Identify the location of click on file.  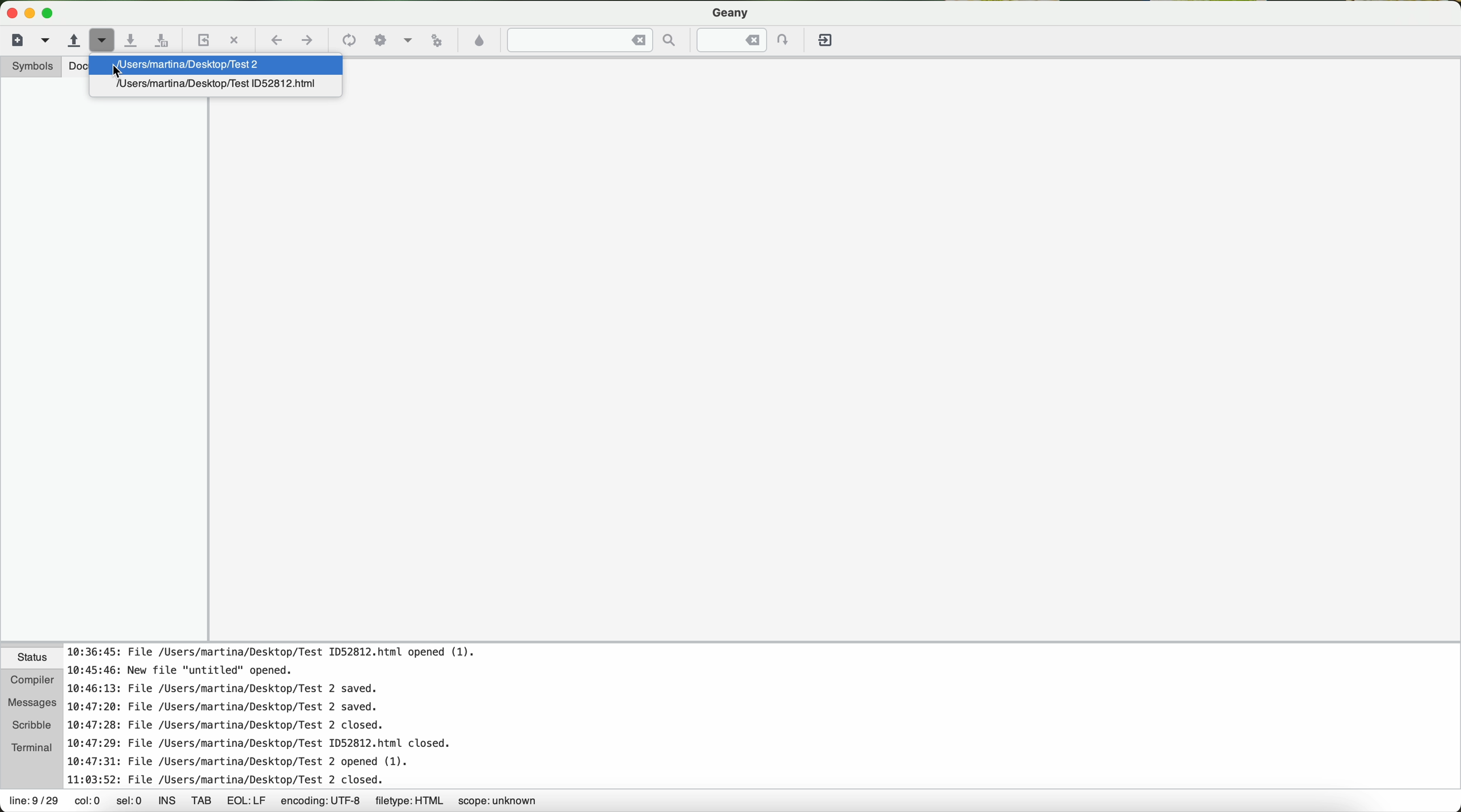
(228, 65).